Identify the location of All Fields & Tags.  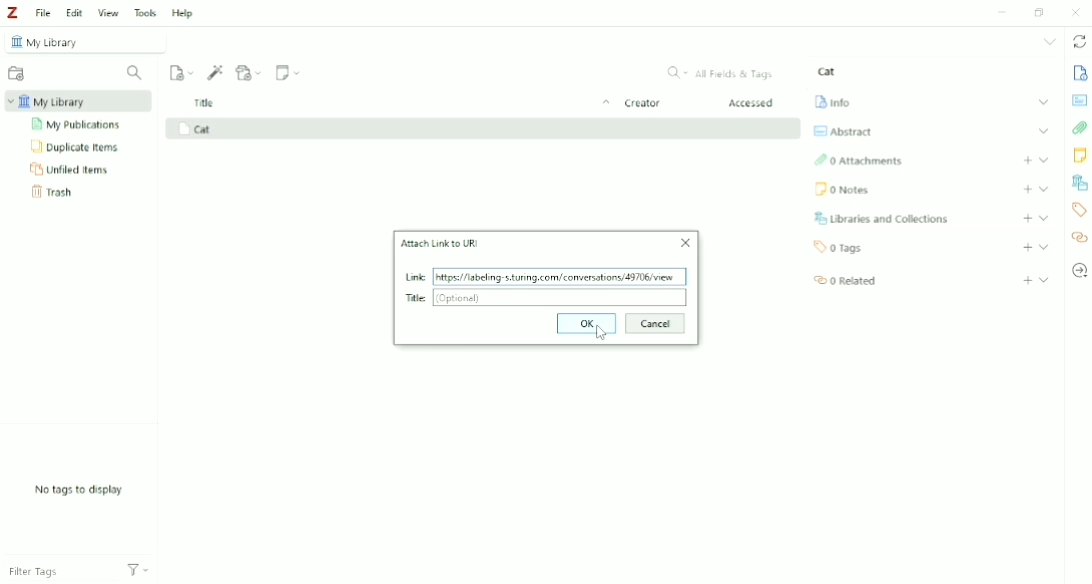
(722, 73).